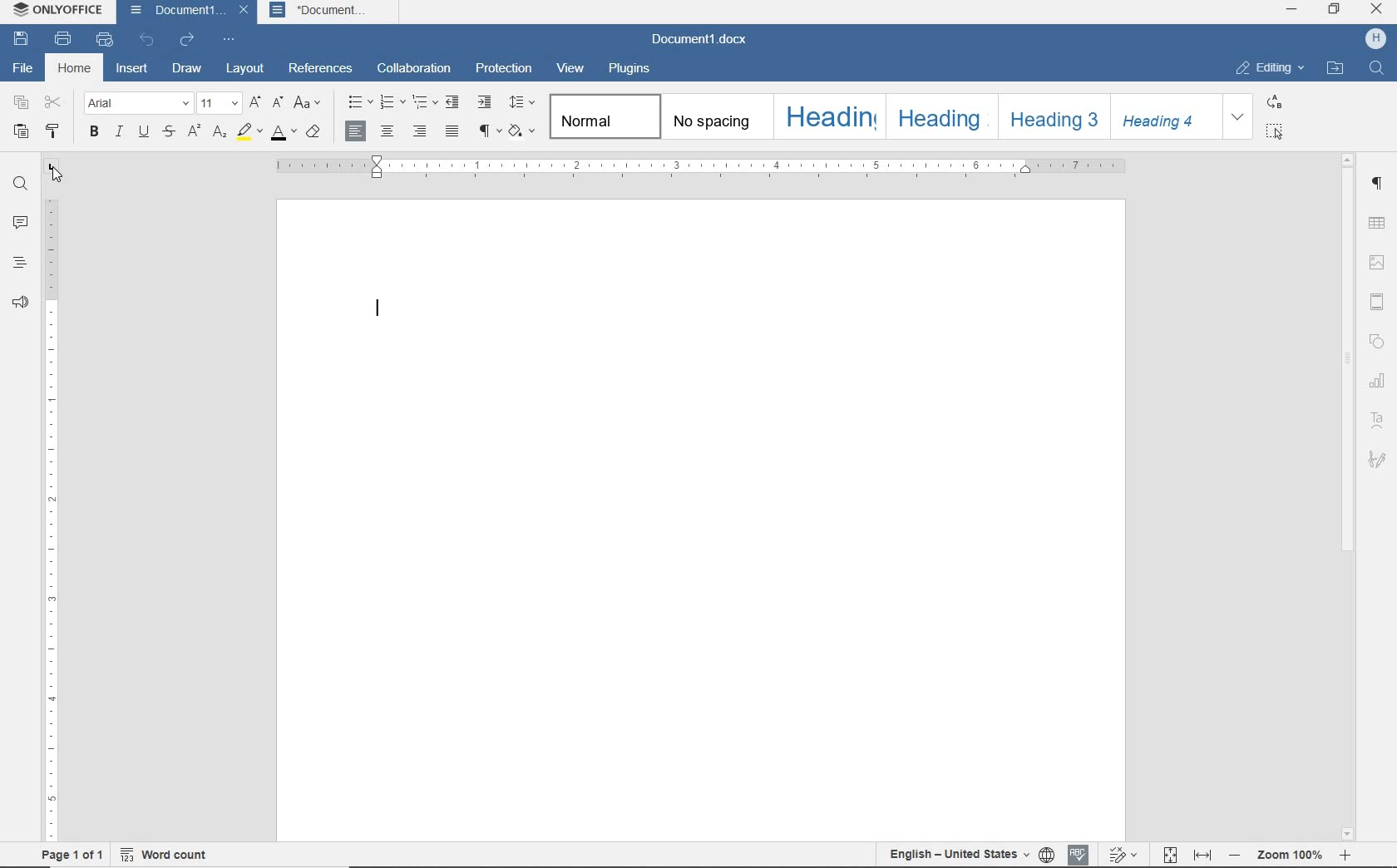 The height and width of the screenshot is (868, 1397). I want to click on CUSTOMIZE QUICK ACCESS TOOLBAR, so click(230, 39).